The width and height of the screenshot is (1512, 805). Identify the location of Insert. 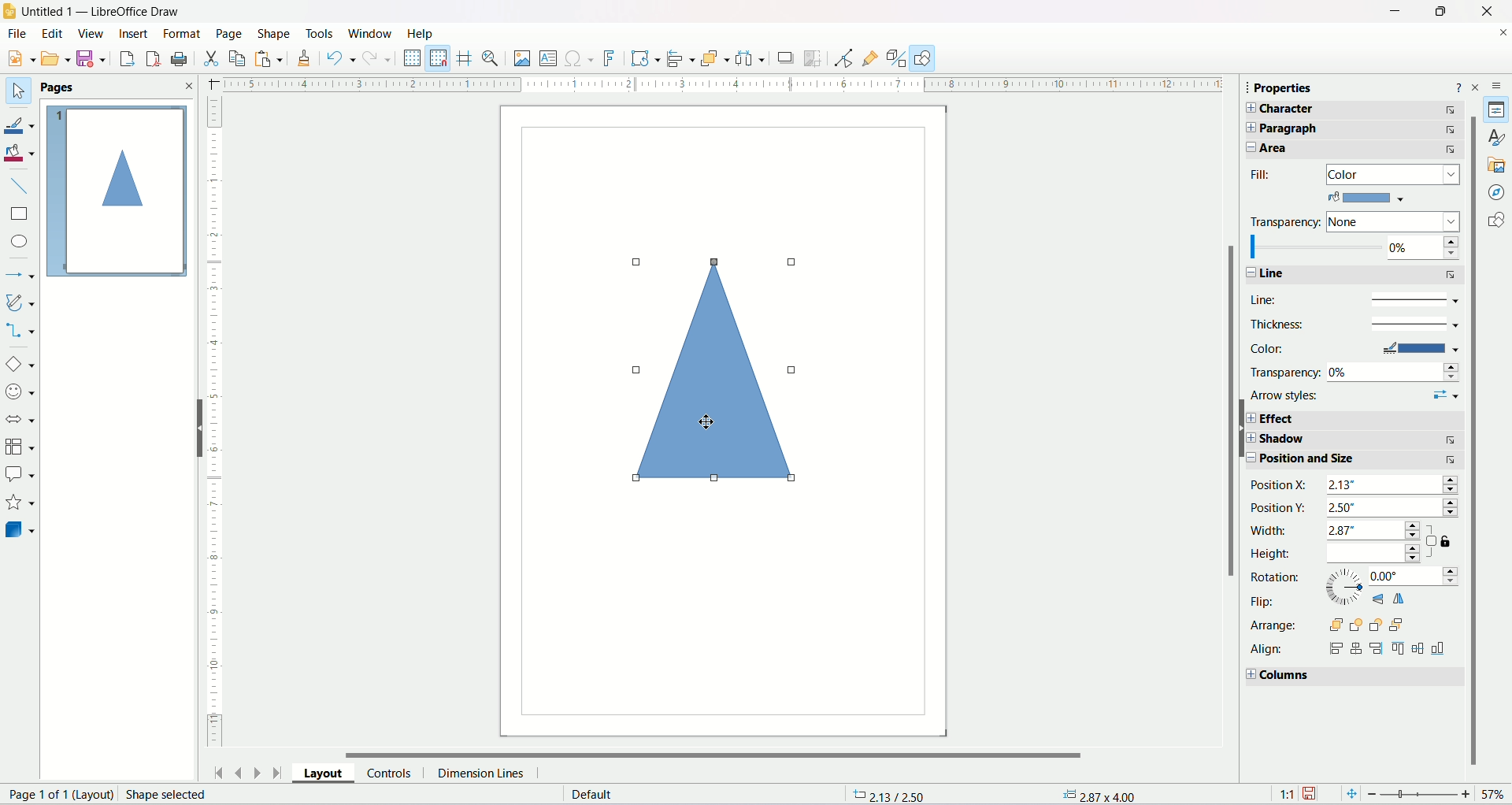
(133, 34).